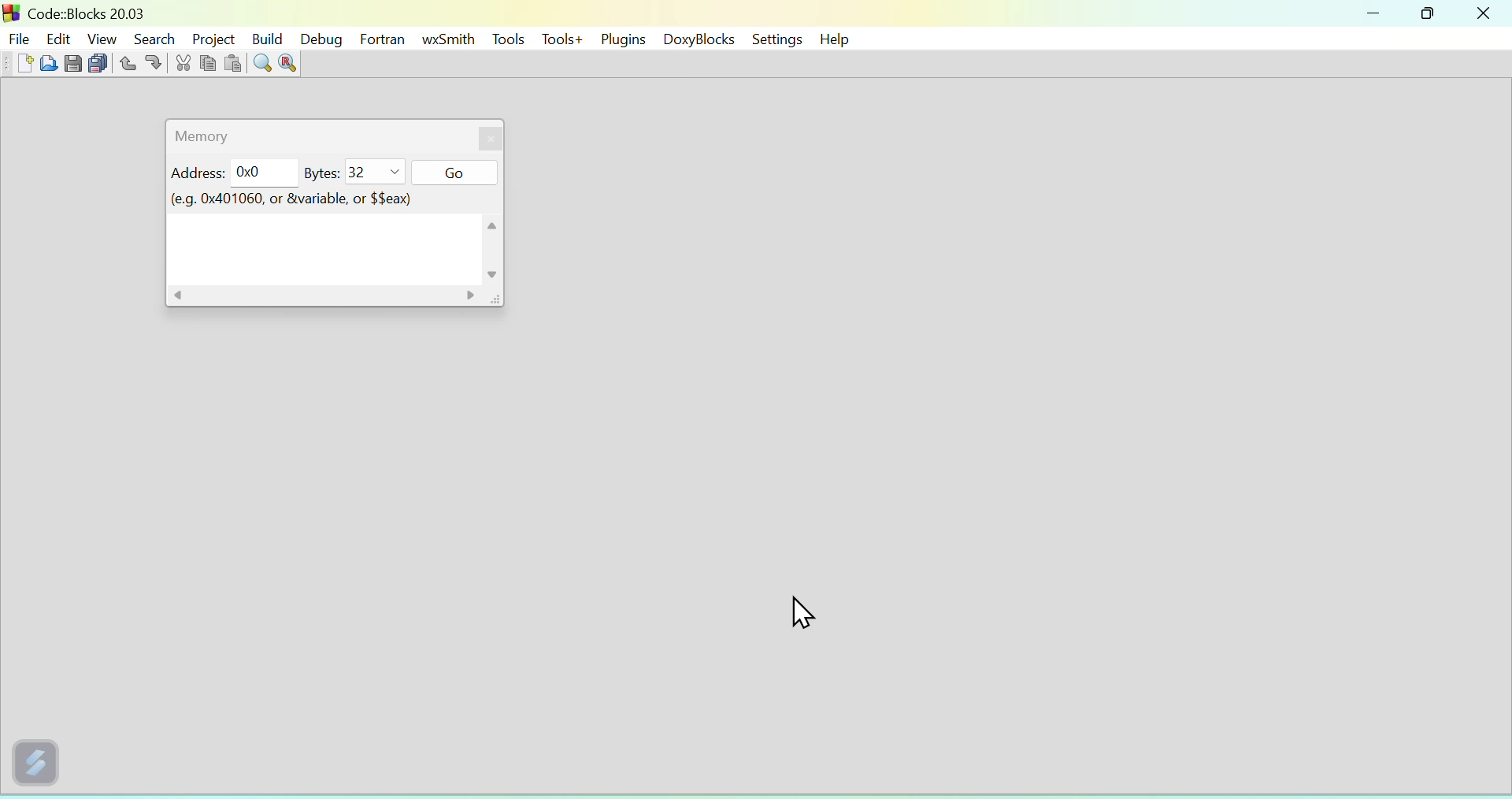  What do you see at coordinates (232, 65) in the screenshot?
I see `paste` at bounding box center [232, 65].